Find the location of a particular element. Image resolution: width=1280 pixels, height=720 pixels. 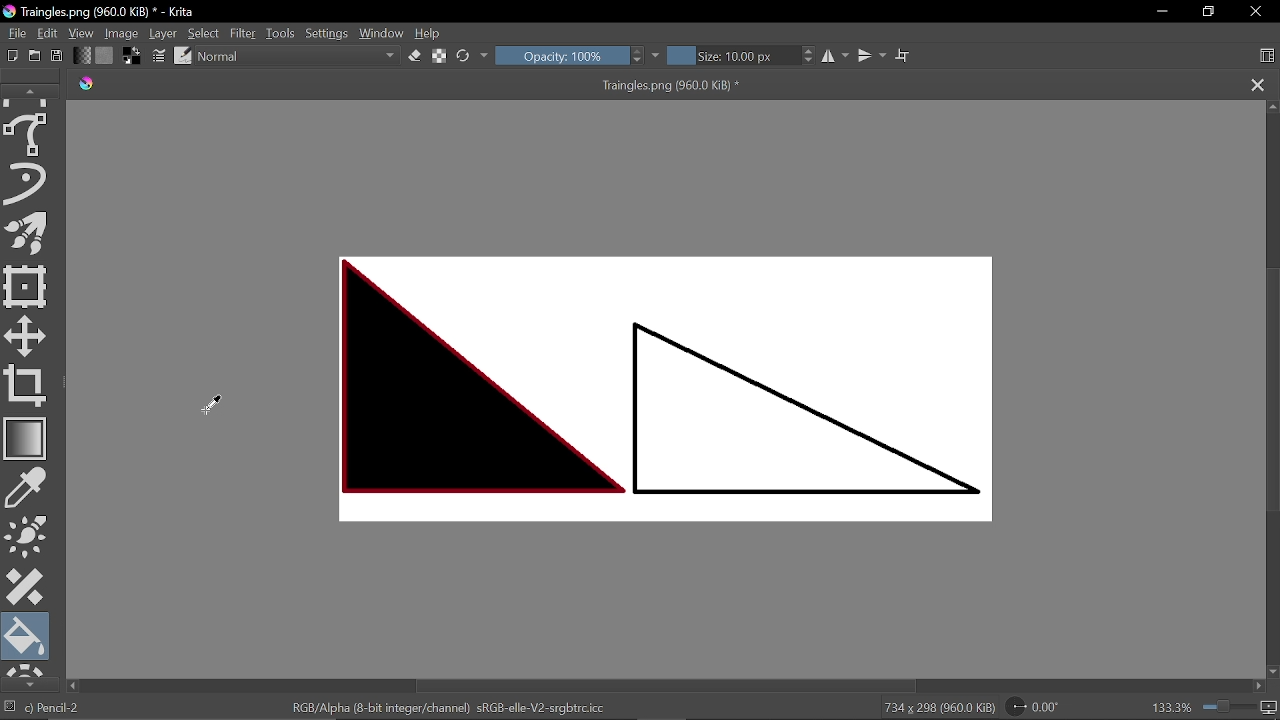

Sample a color from the image tool is located at coordinates (28, 488).